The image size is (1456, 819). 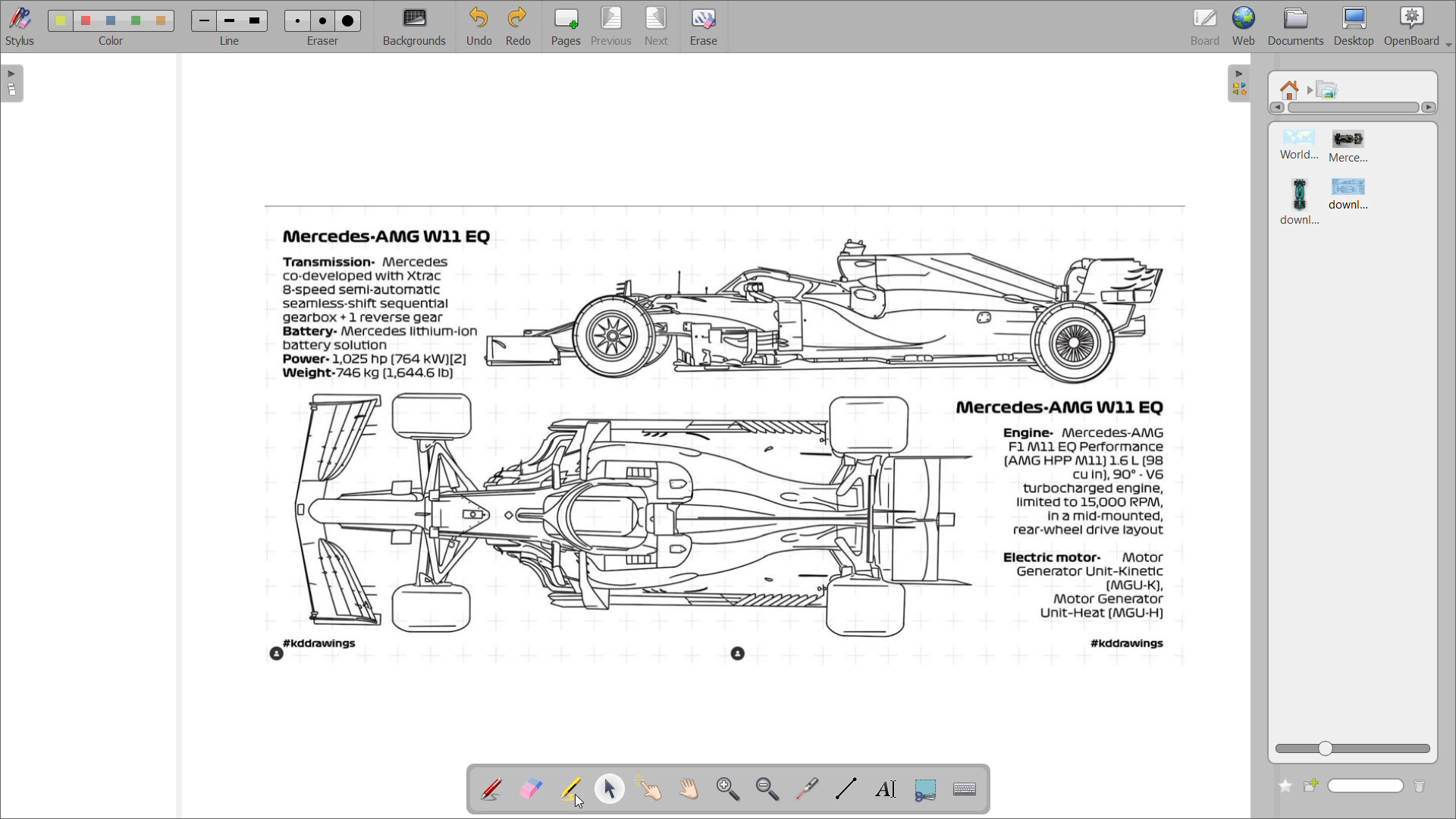 What do you see at coordinates (494, 788) in the screenshot?
I see `annotate document` at bounding box center [494, 788].